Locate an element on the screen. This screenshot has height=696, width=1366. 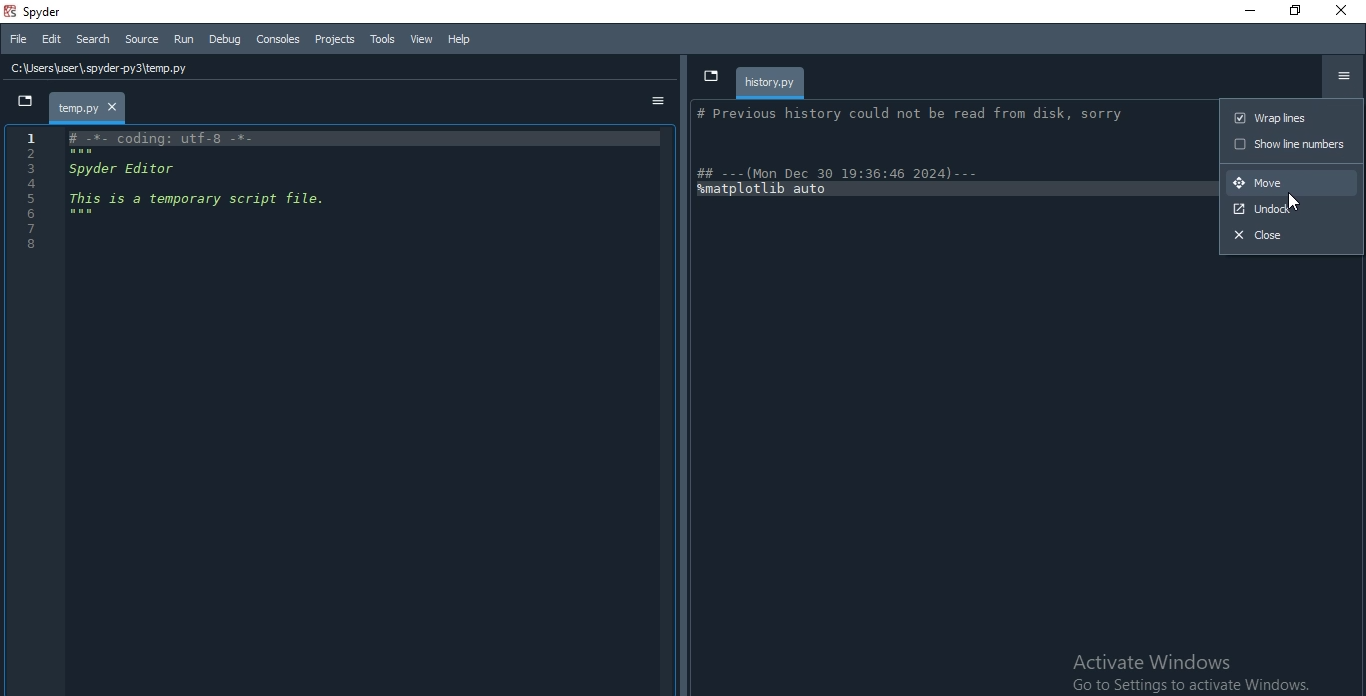
| ## ---(Mon Dec 30 19:36:46 2024) ---
amatplotlib auto is located at coordinates (849, 181).